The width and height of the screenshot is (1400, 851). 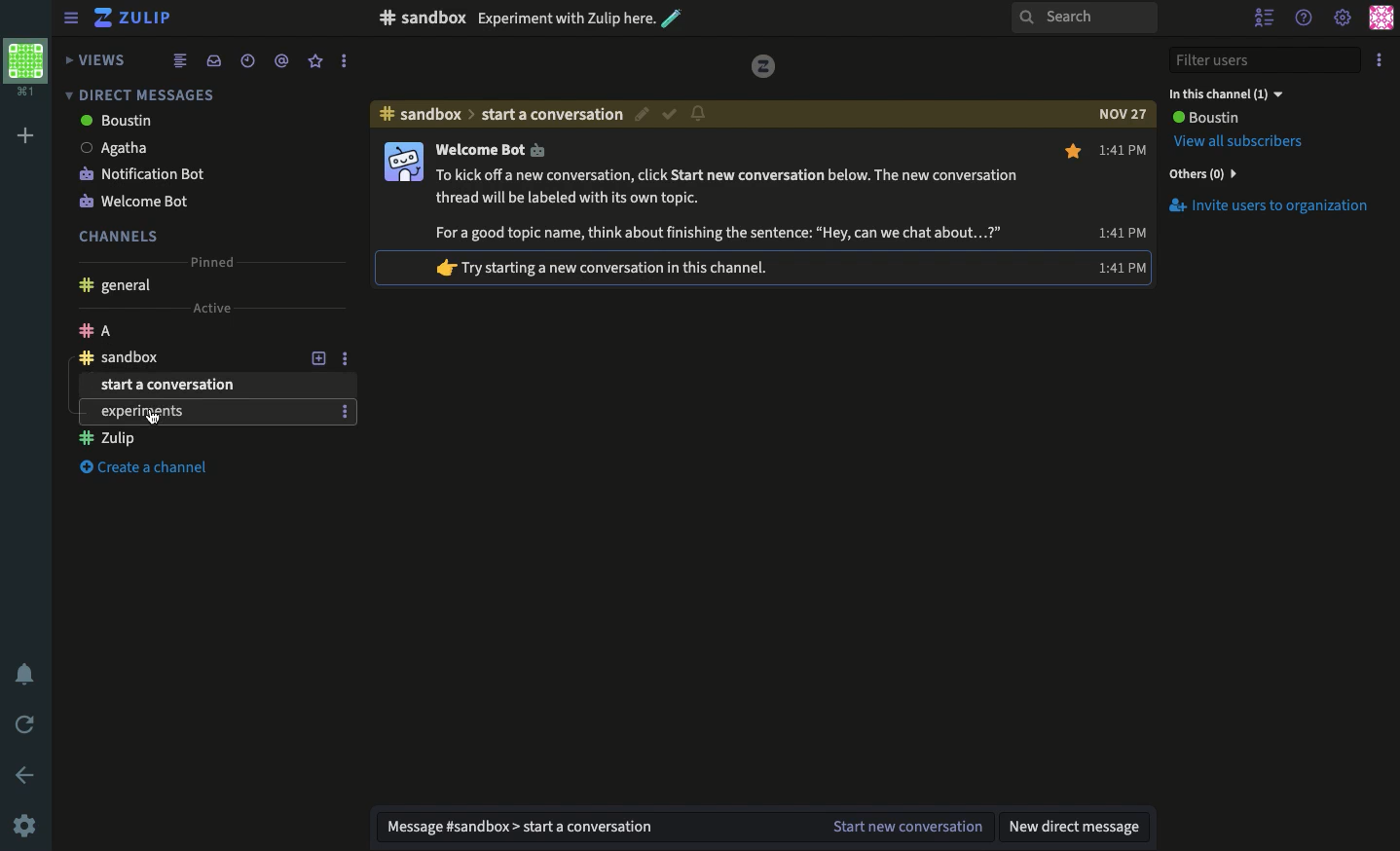 What do you see at coordinates (245, 60) in the screenshot?
I see `Time` at bounding box center [245, 60].